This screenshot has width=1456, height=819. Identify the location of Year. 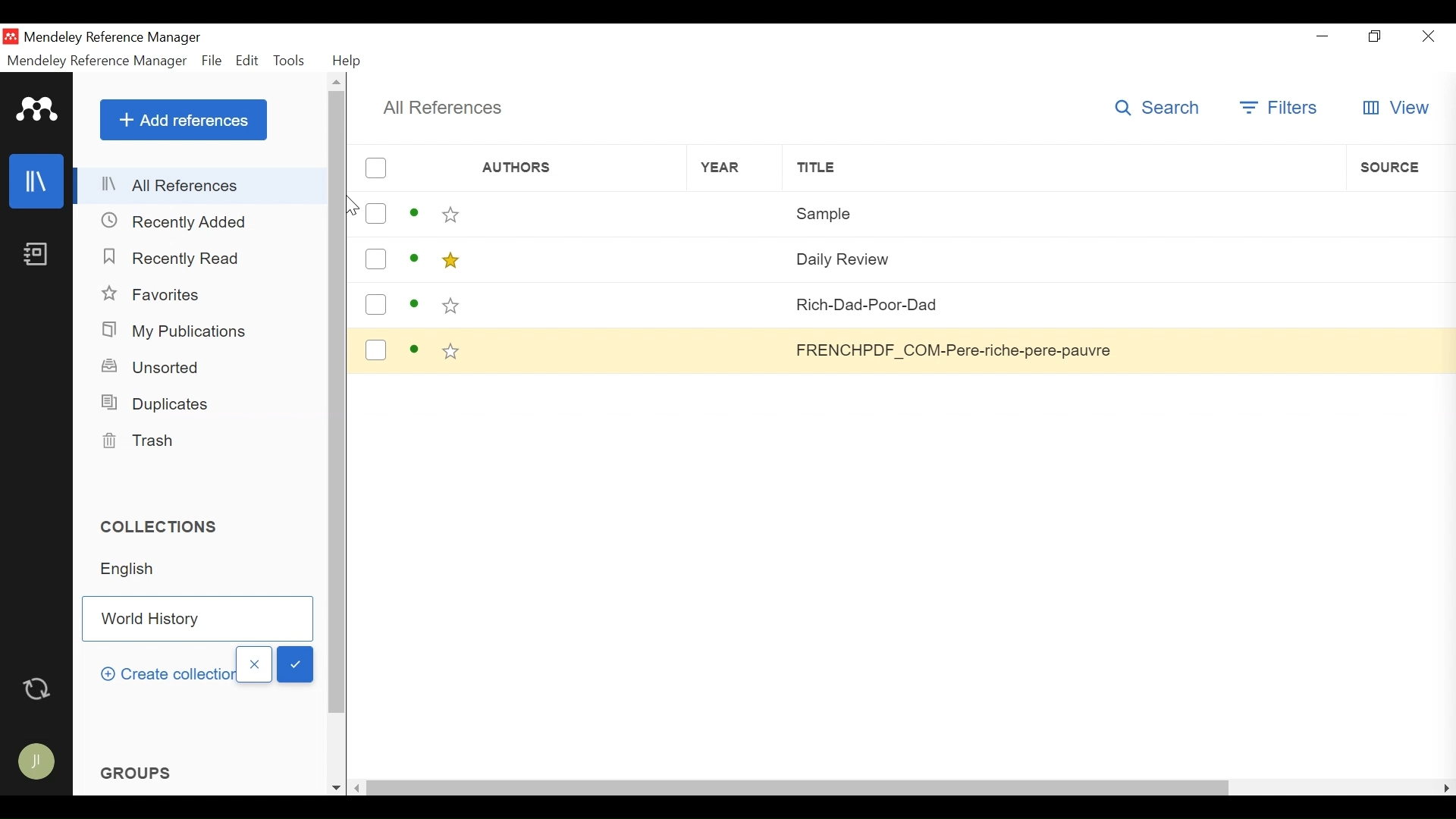
(736, 304).